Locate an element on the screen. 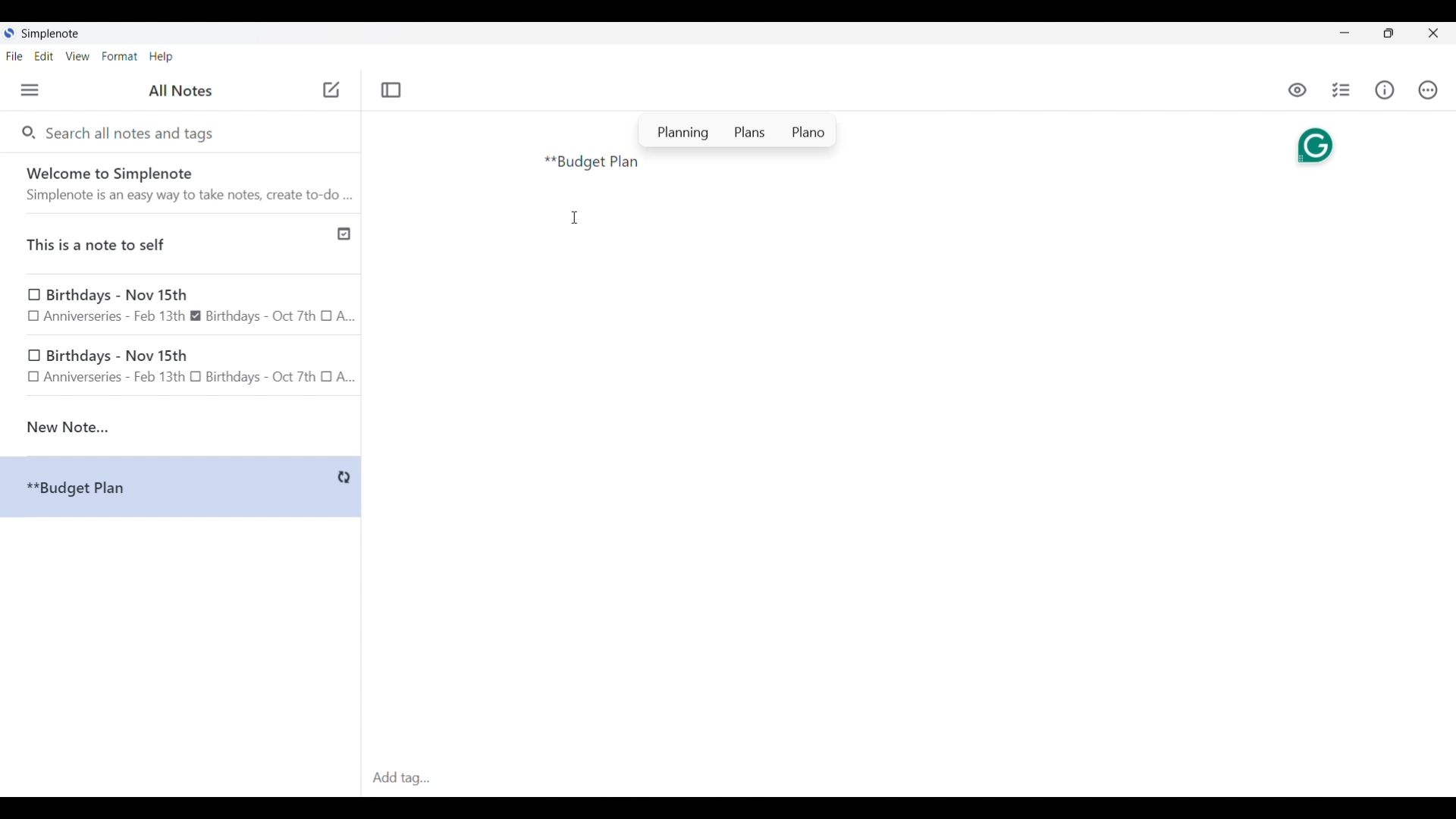 The height and width of the screenshot is (819, 1456). Click to type in tags is located at coordinates (908, 779).